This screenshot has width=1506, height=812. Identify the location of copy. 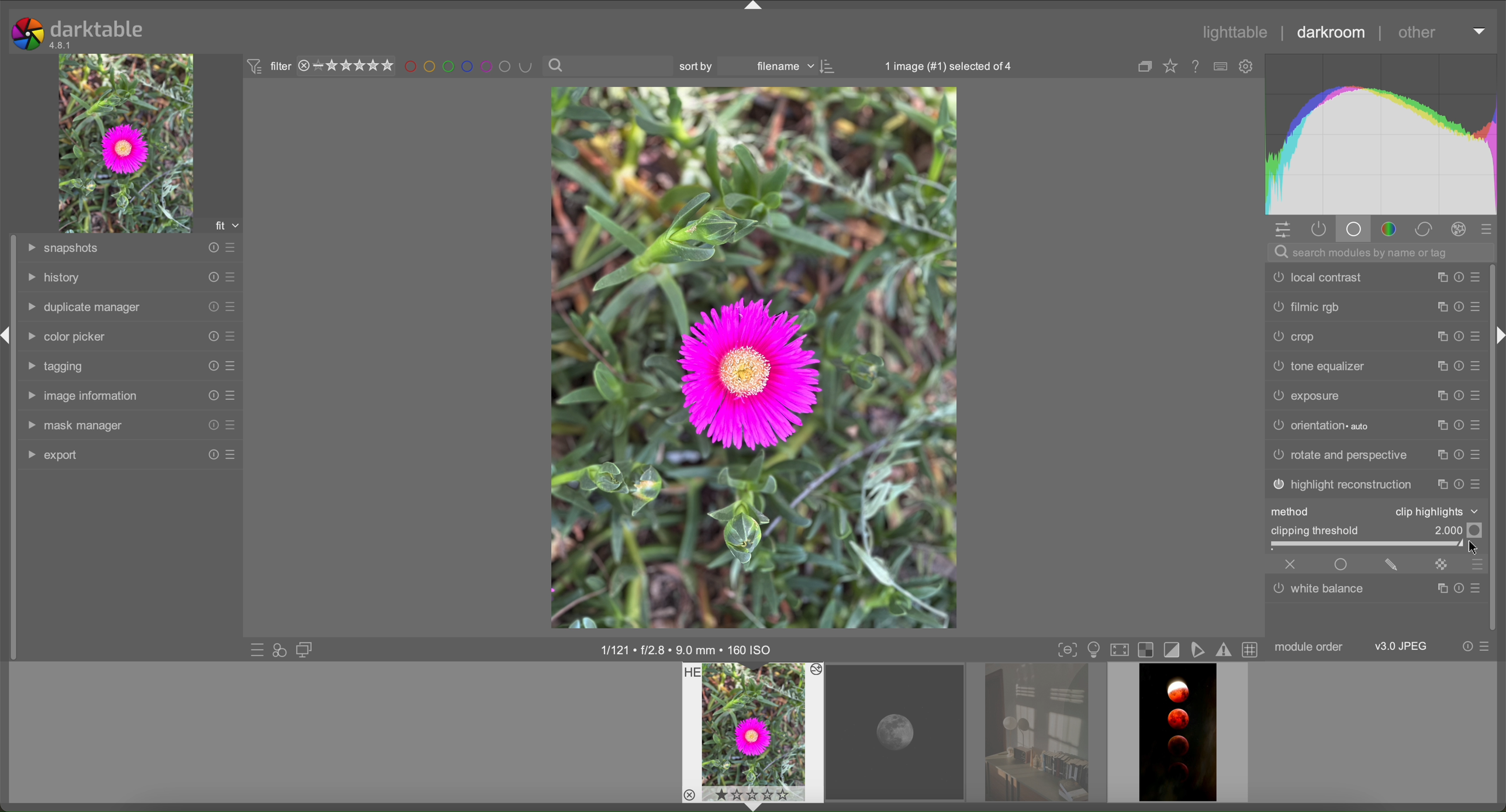
(1438, 365).